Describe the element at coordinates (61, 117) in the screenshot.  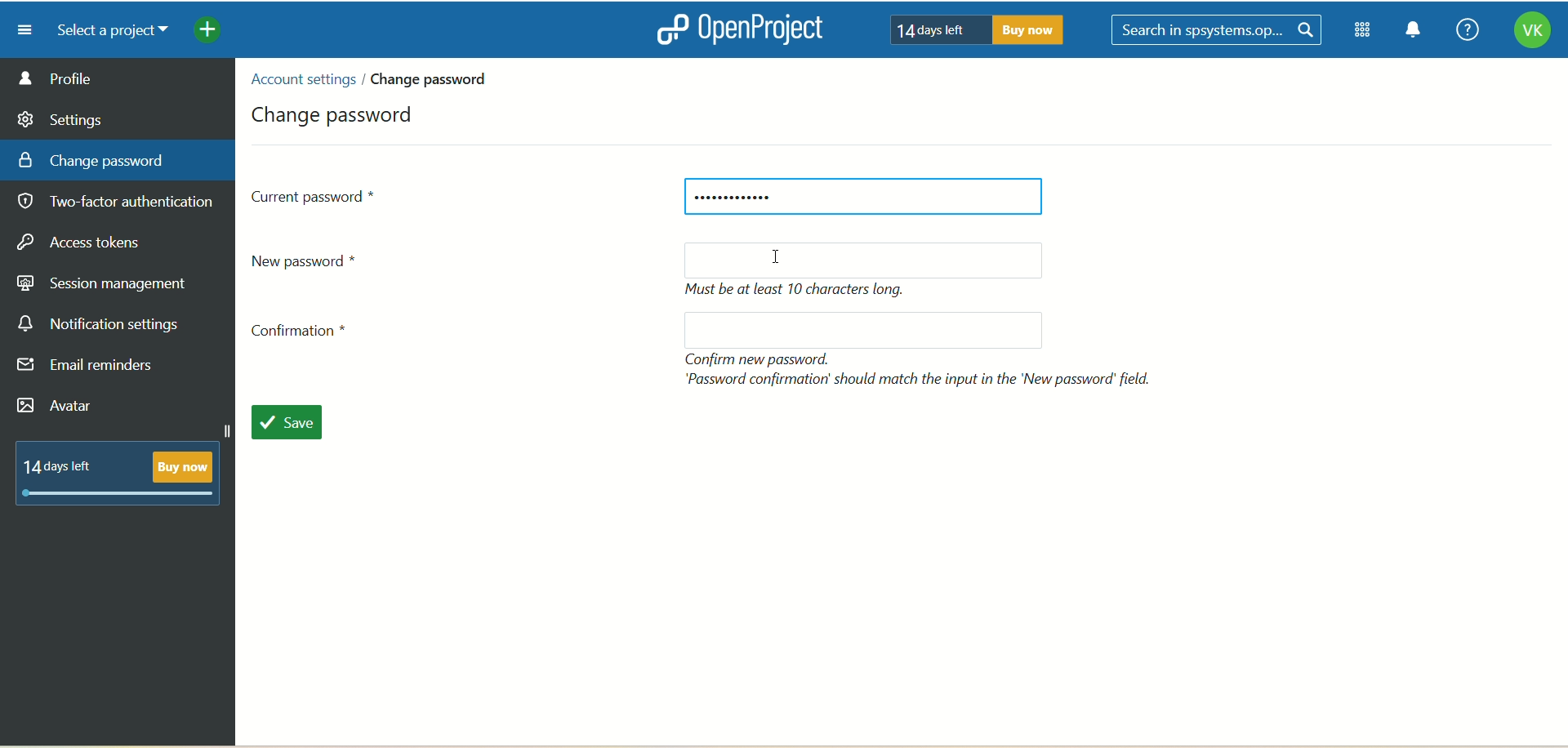
I see `settings` at that location.